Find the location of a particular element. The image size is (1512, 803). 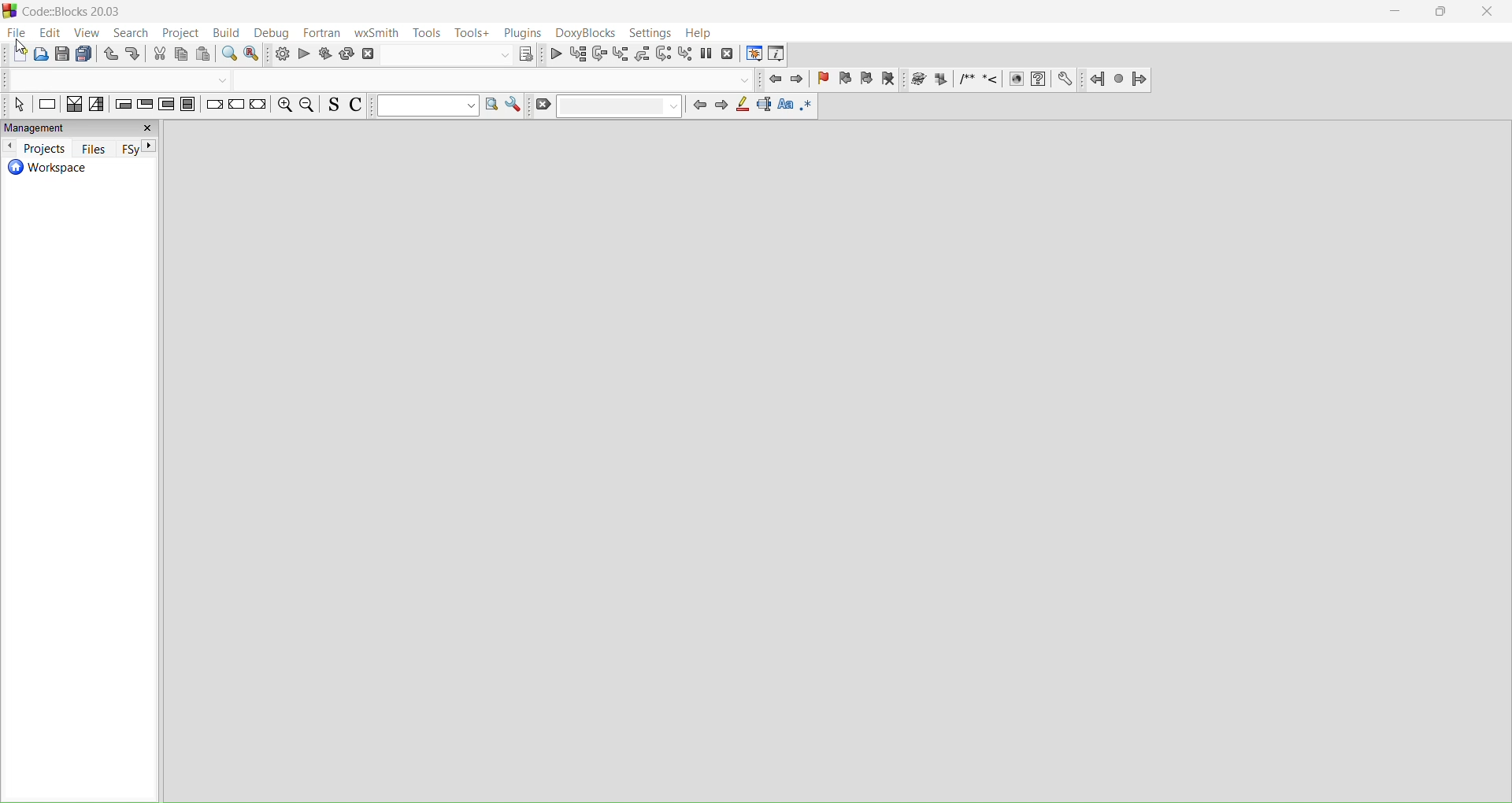

jump forward is located at coordinates (799, 80).